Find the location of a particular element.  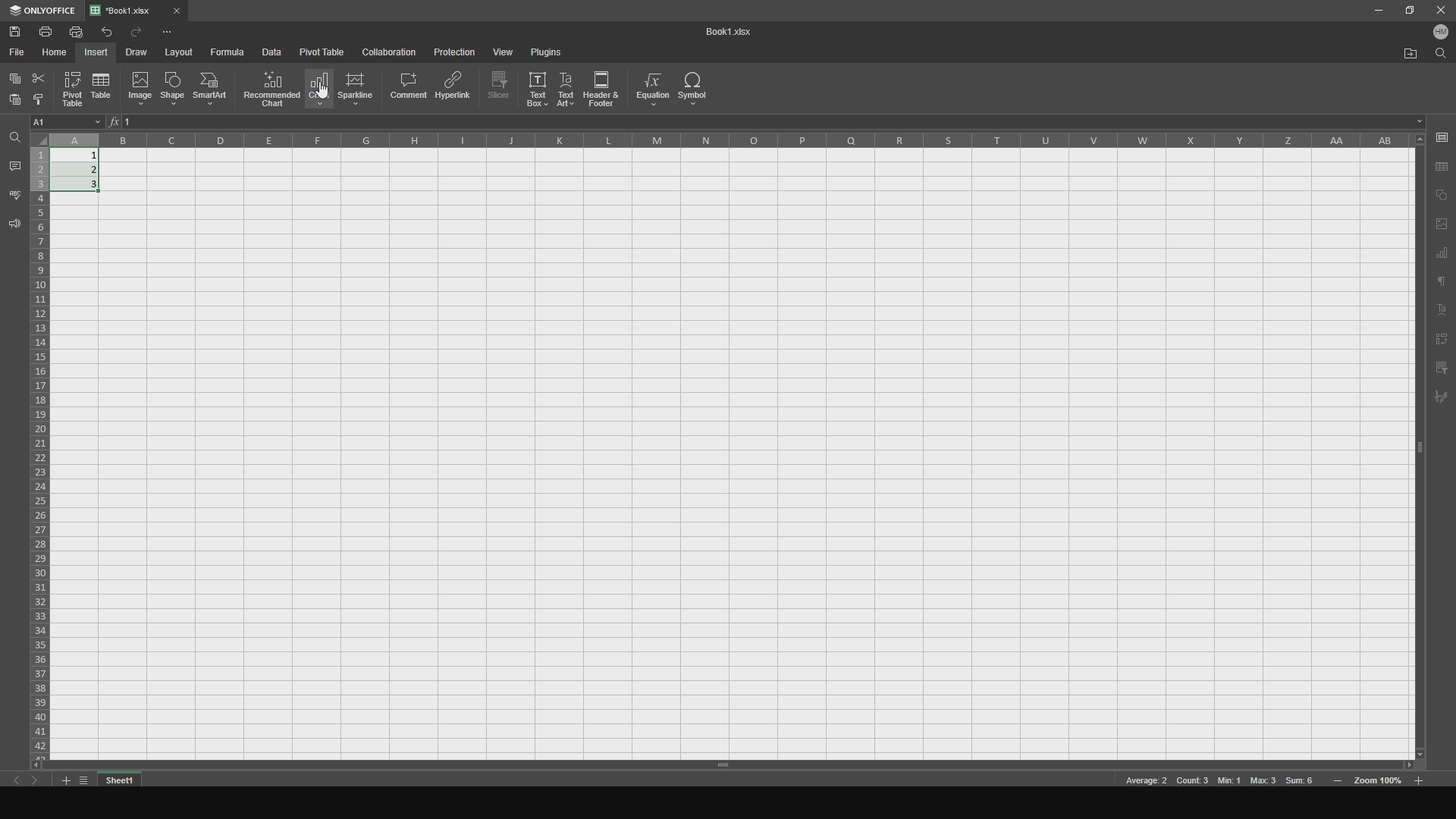

horizontal slider is located at coordinates (718, 764).